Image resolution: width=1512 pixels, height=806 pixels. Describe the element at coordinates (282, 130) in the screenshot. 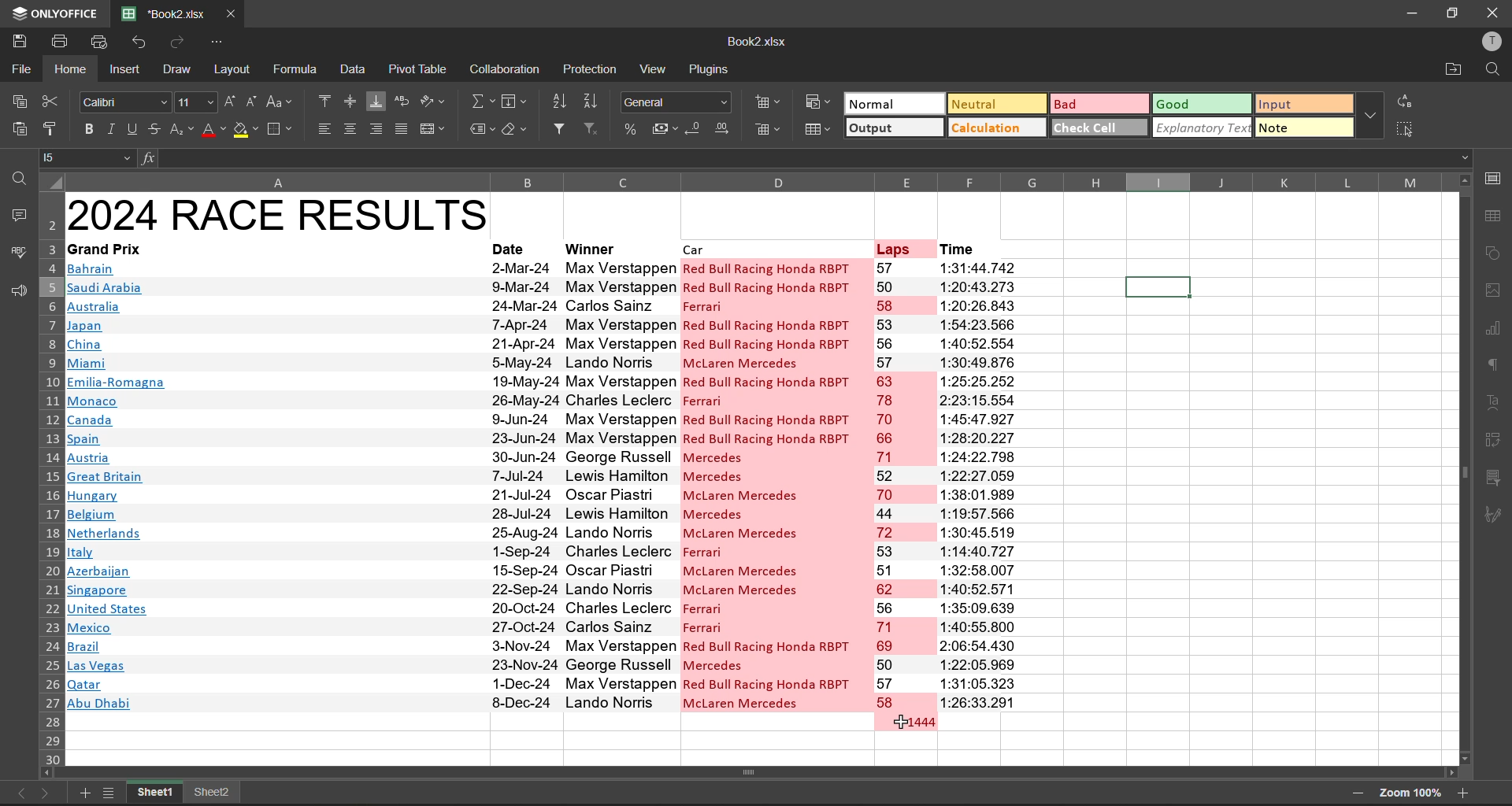

I see `borders` at that location.